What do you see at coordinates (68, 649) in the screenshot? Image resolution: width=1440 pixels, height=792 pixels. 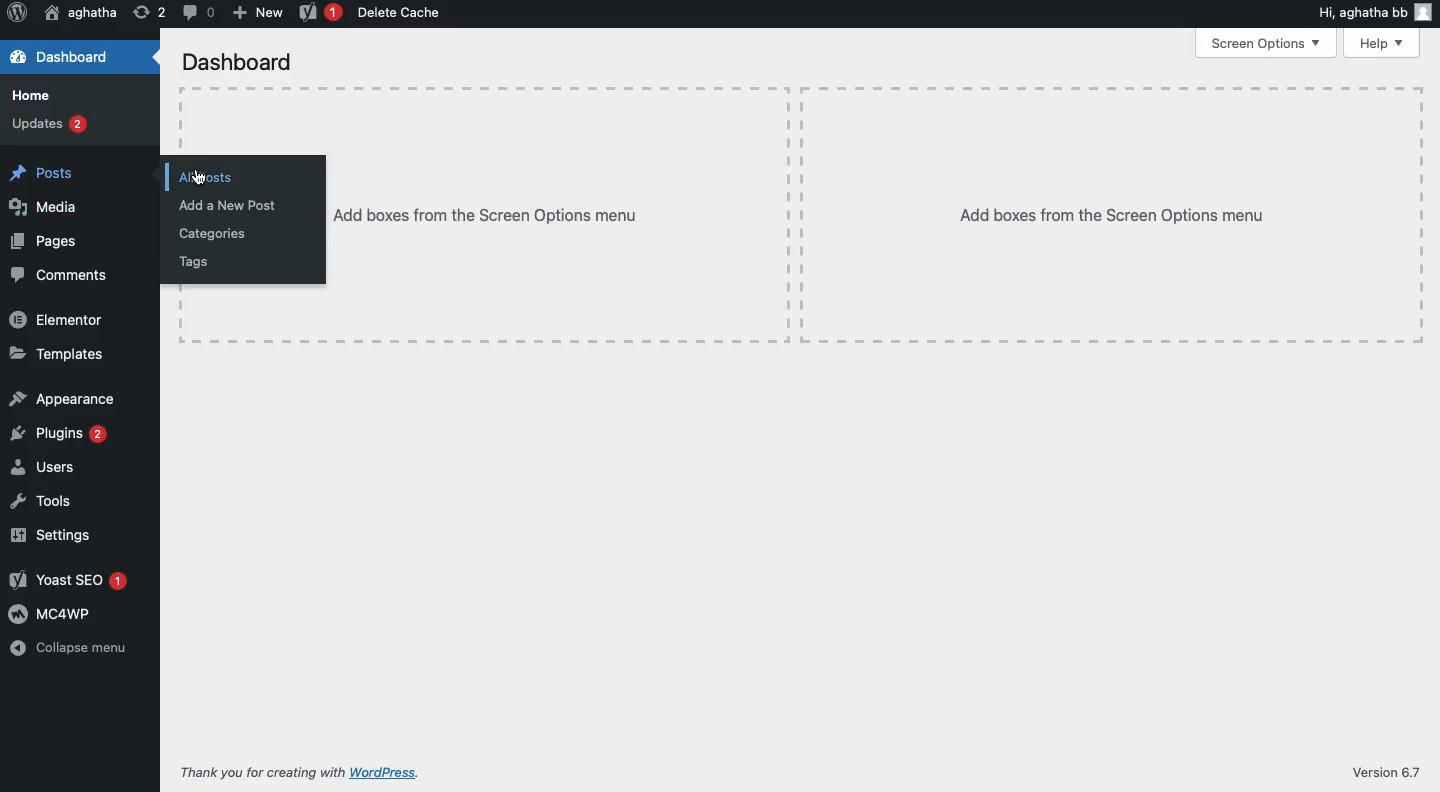 I see `Collapse menu` at bounding box center [68, 649].